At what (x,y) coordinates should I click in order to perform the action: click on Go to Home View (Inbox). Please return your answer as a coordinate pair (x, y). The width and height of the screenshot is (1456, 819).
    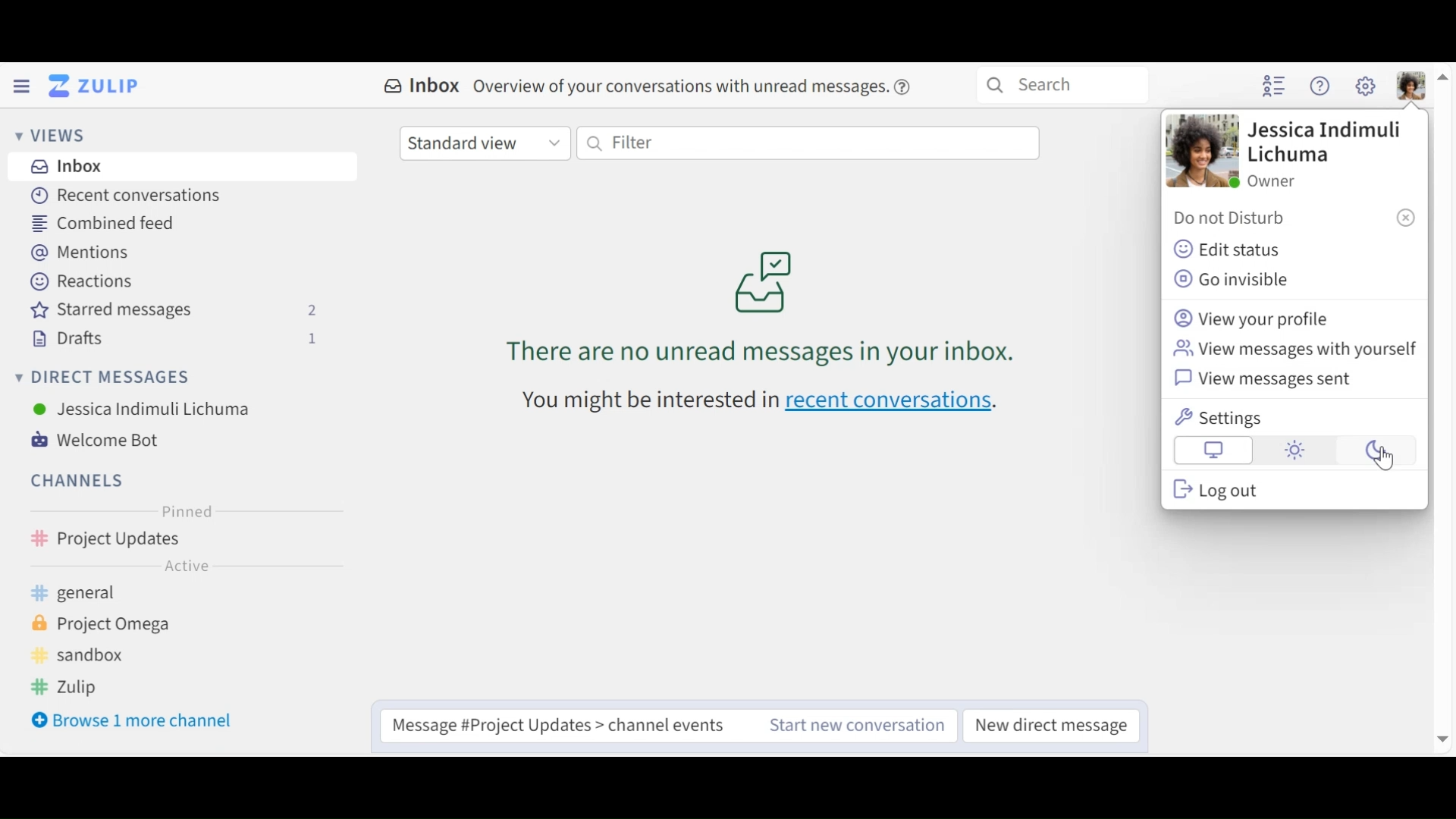
    Looking at the image, I should click on (99, 86).